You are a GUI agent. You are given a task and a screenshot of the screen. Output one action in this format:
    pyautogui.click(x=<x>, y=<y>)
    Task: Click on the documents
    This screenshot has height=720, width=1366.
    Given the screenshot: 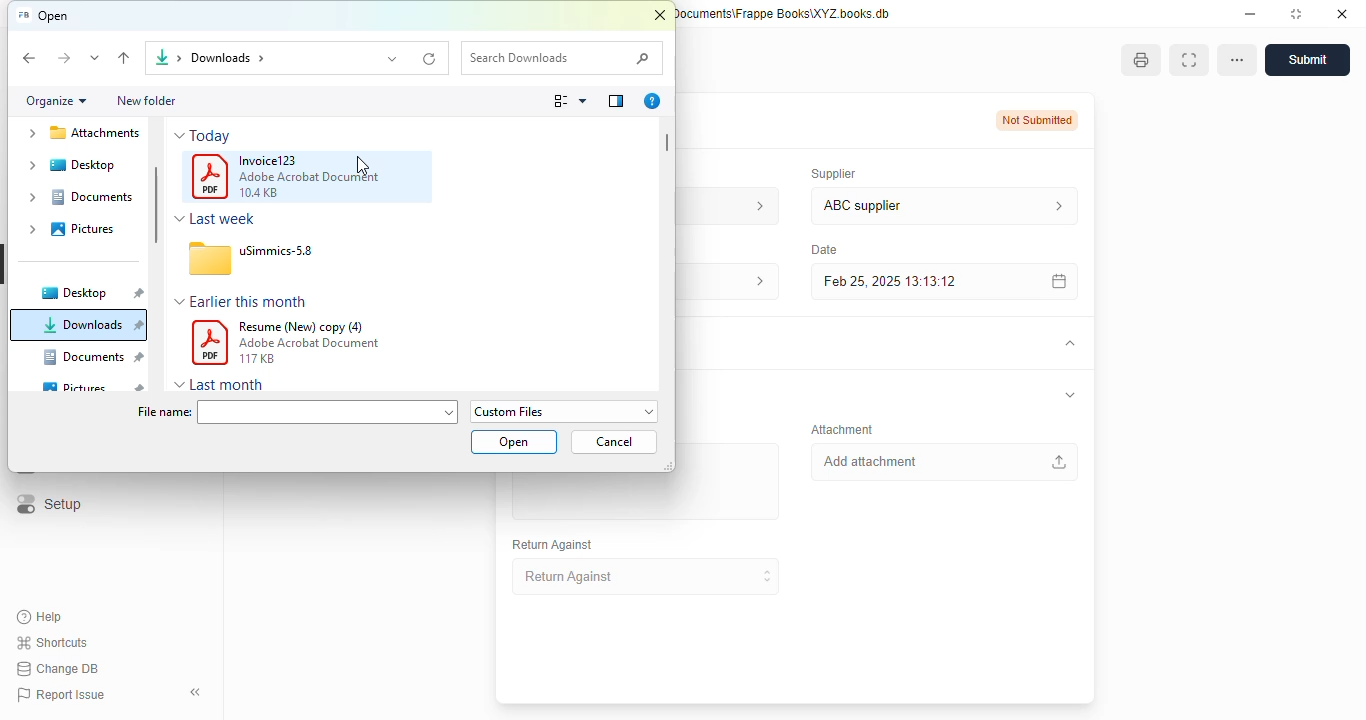 What is the action you would take?
    pyautogui.click(x=77, y=197)
    